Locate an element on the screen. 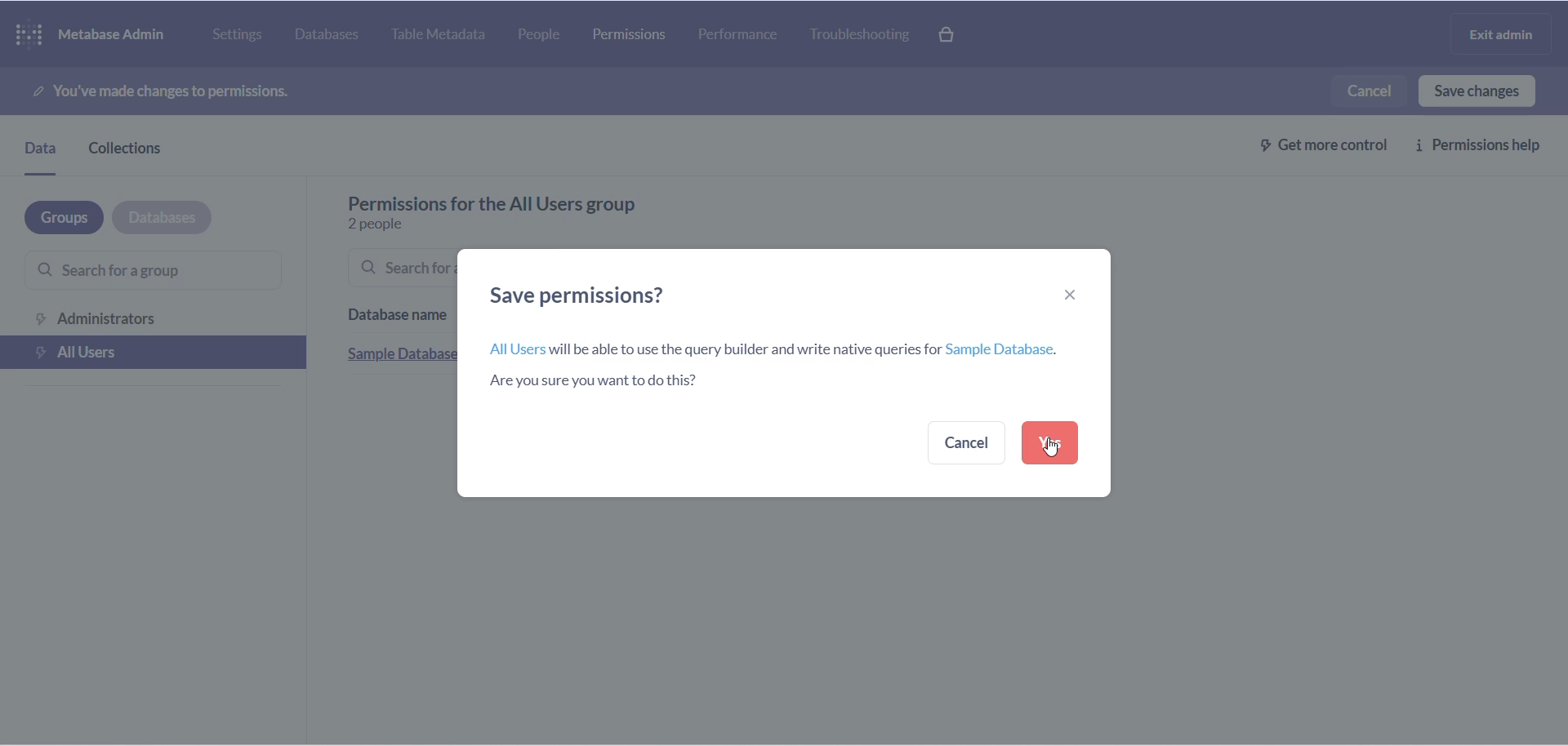 The width and height of the screenshot is (1568, 746). text is located at coordinates (528, 200).